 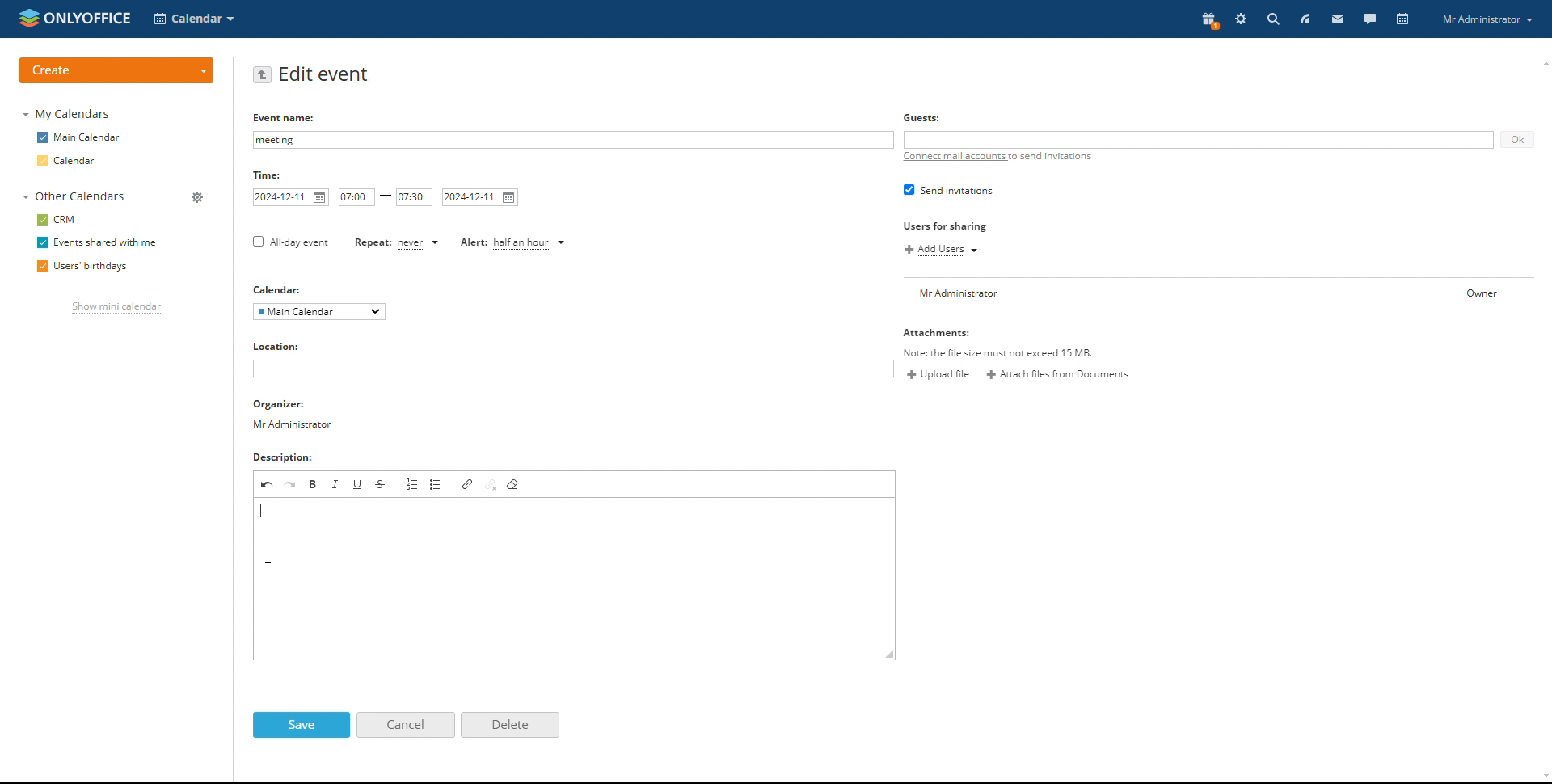 I want to click on crm, so click(x=59, y=219).